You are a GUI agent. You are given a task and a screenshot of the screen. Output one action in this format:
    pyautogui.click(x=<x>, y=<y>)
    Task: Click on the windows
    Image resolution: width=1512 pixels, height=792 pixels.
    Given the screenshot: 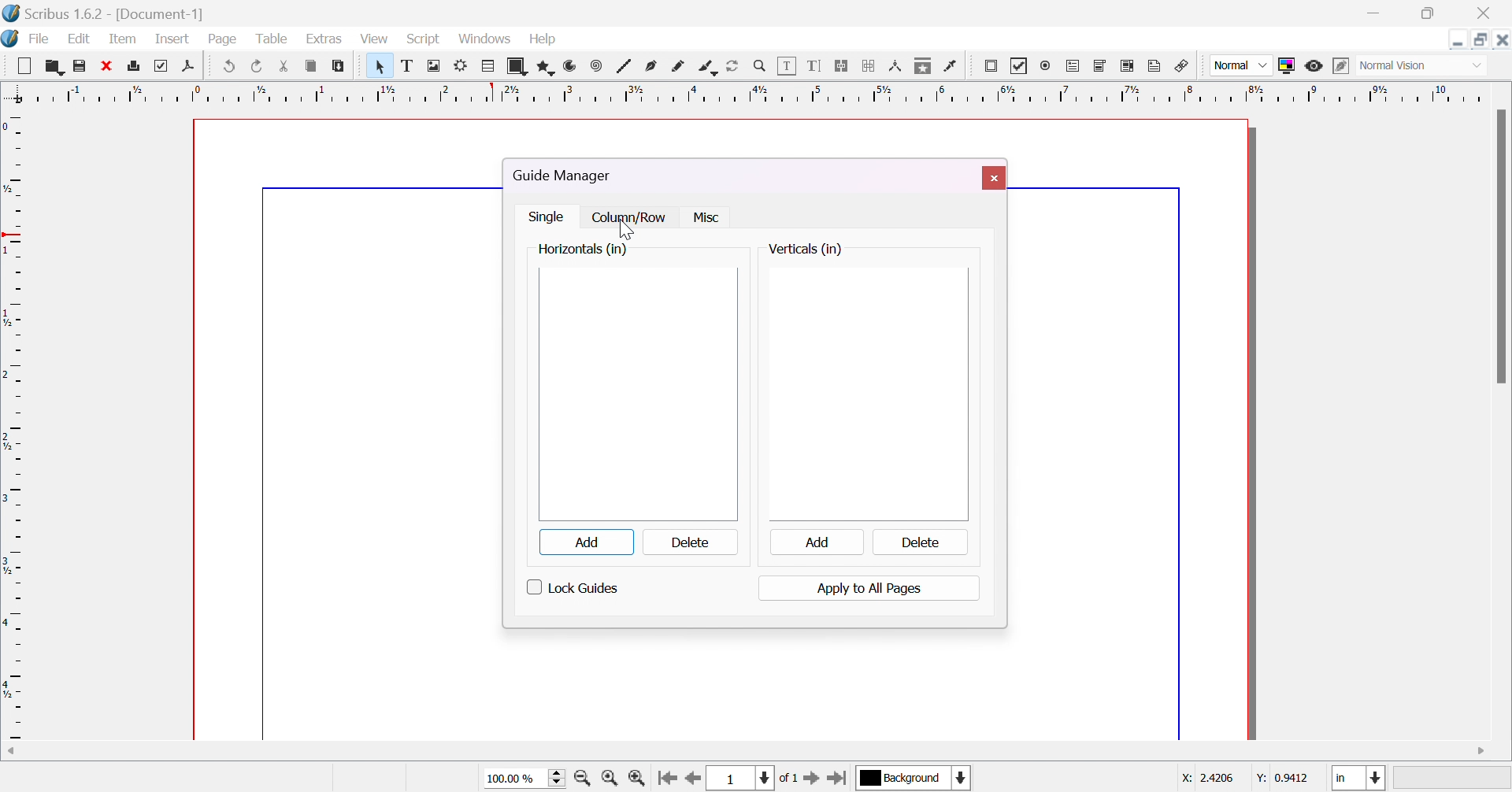 What is the action you would take?
    pyautogui.click(x=483, y=39)
    